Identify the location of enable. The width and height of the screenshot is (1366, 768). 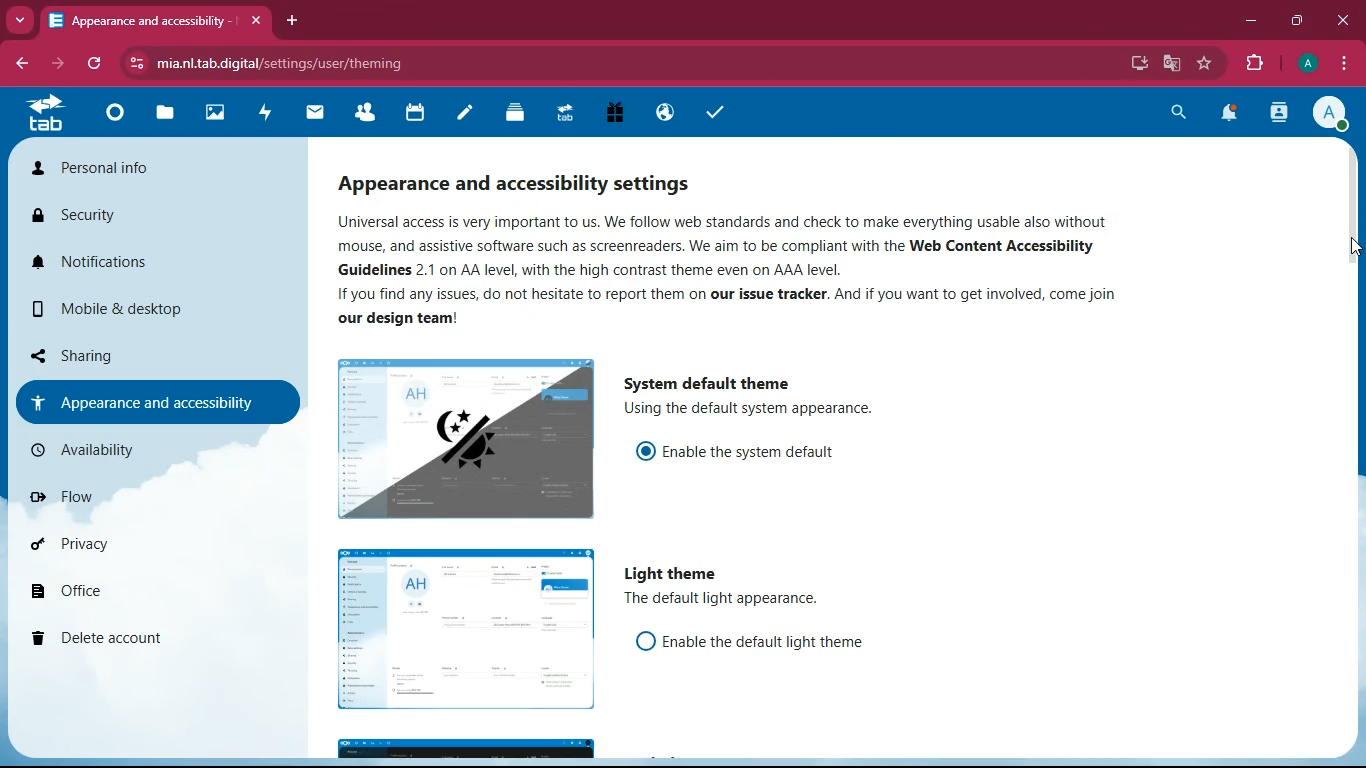
(756, 453).